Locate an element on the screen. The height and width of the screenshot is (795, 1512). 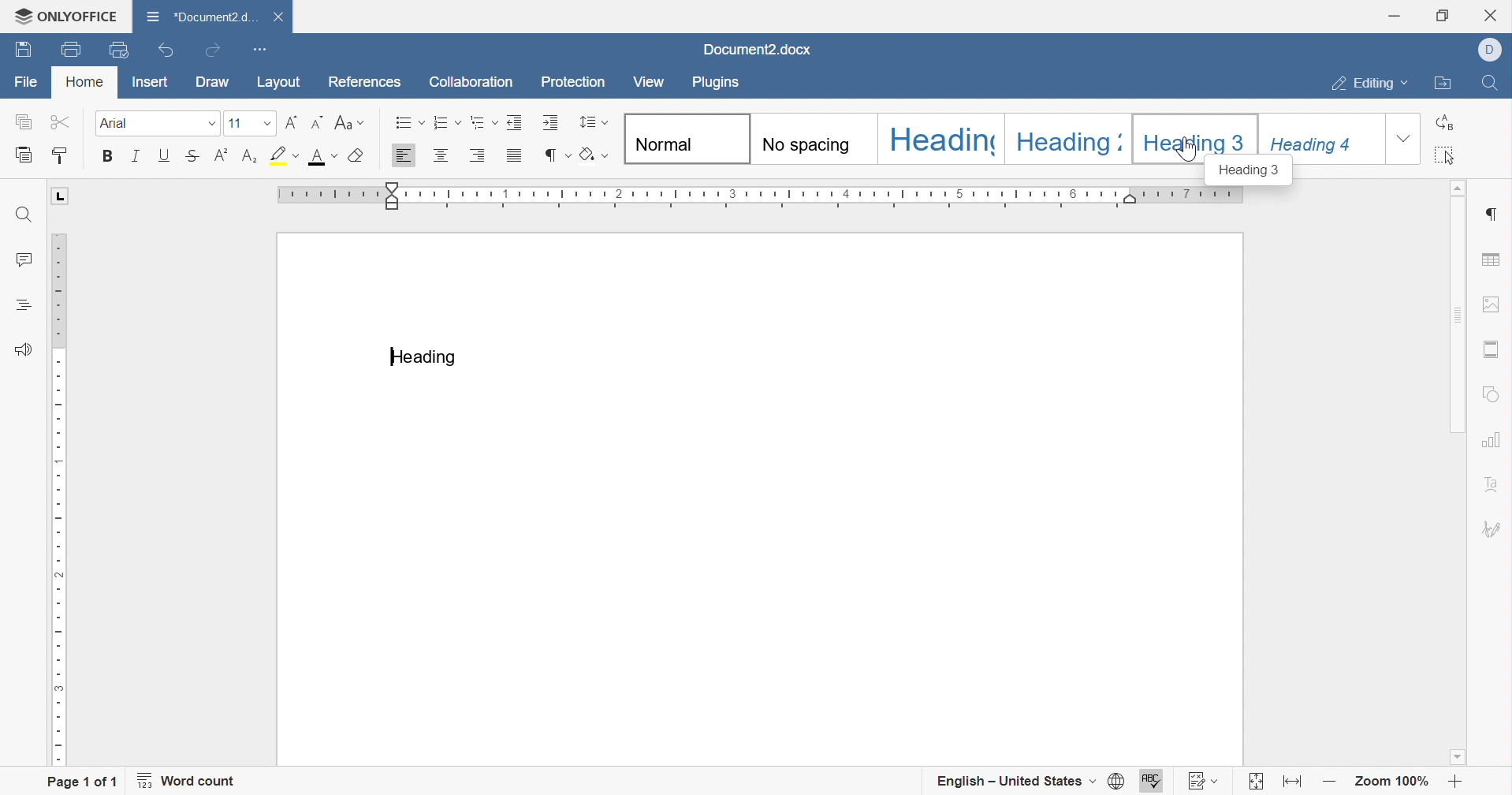
Comments is located at coordinates (27, 260).